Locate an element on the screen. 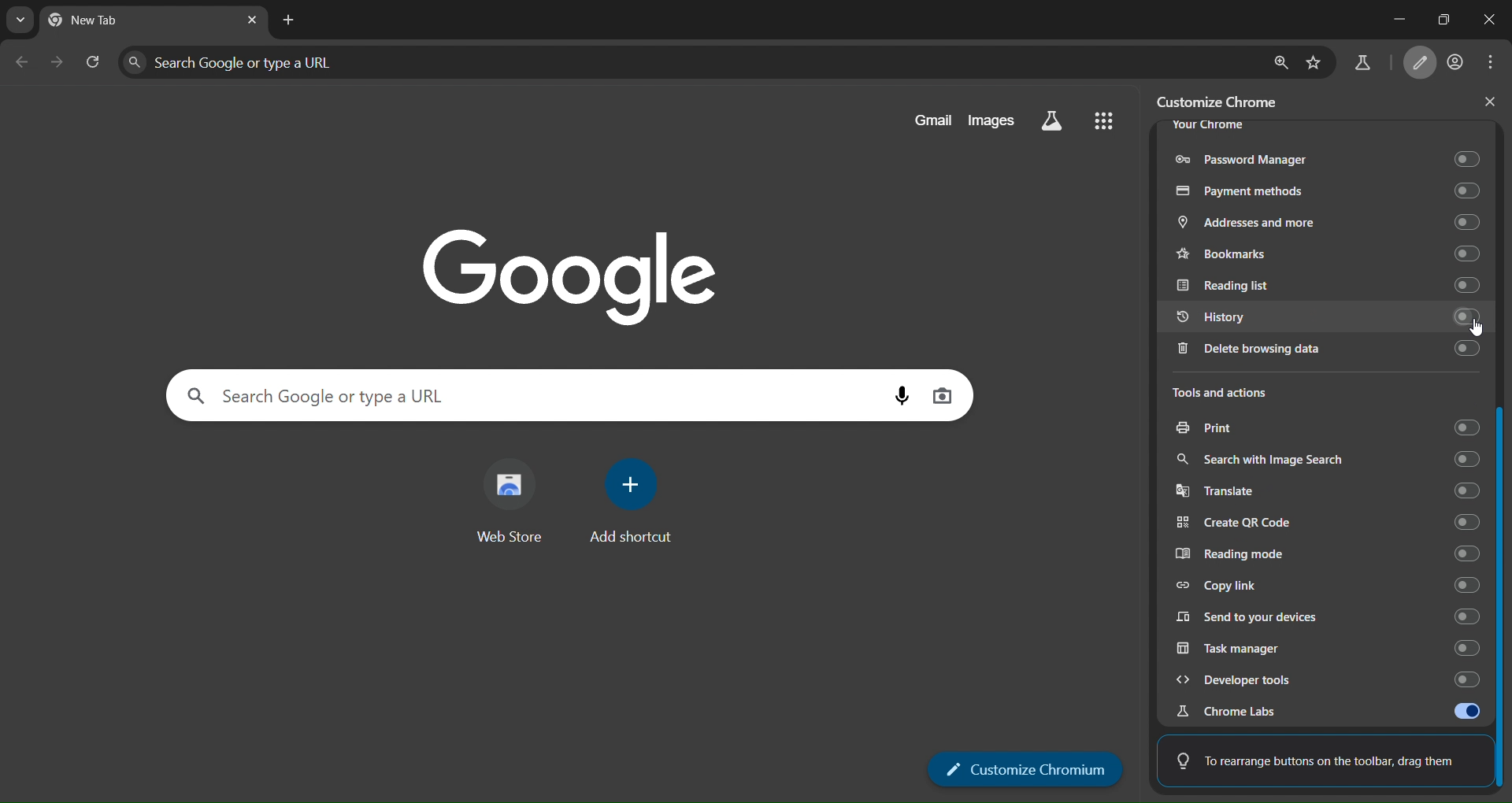 This screenshot has width=1512, height=803. close tab is located at coordinates (252, 20).